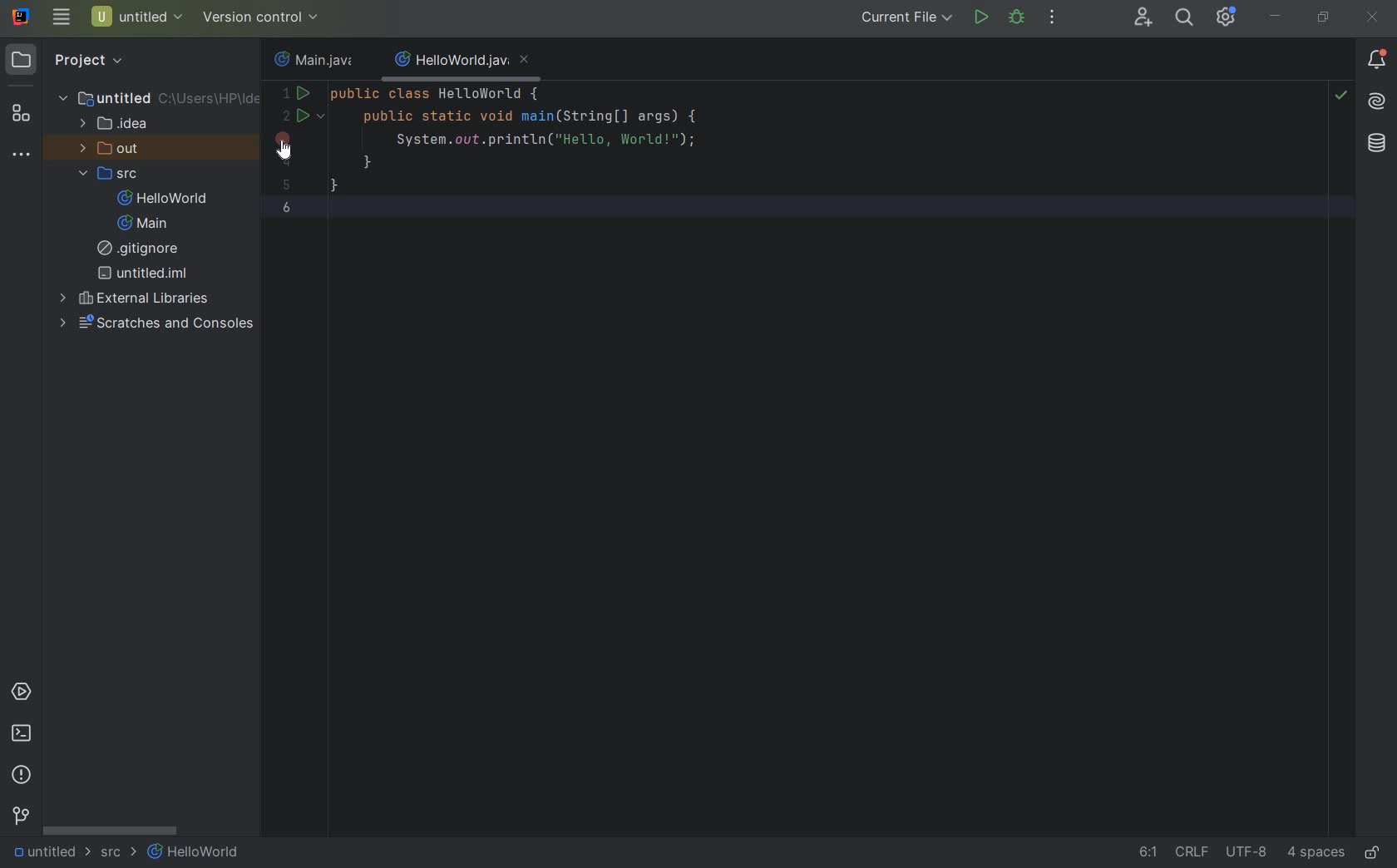  I want to click on code with me, so click(1144, 18).